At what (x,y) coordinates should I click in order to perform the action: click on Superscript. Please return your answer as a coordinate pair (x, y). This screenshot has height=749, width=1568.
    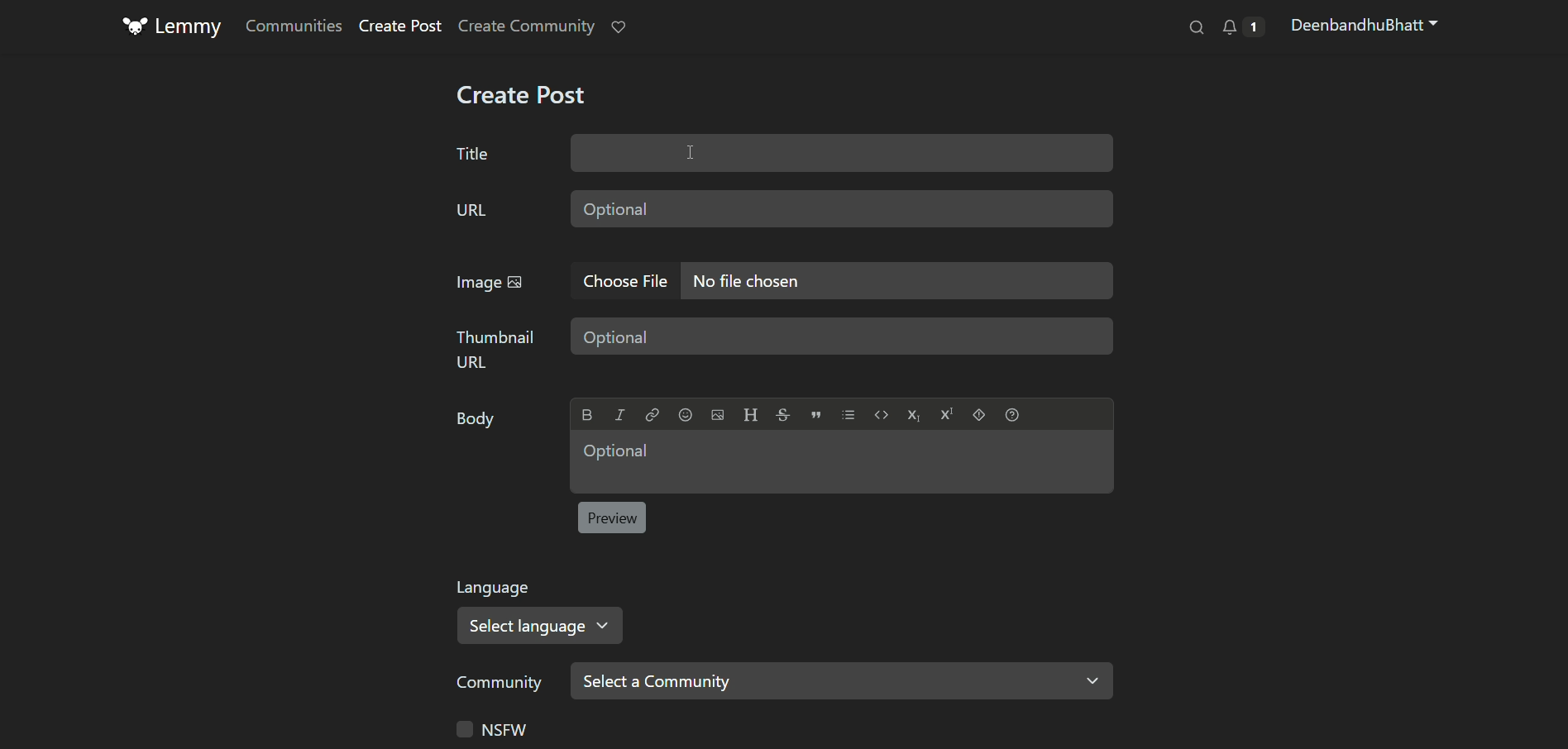
    Looking at the image, I should click on (946, 414).